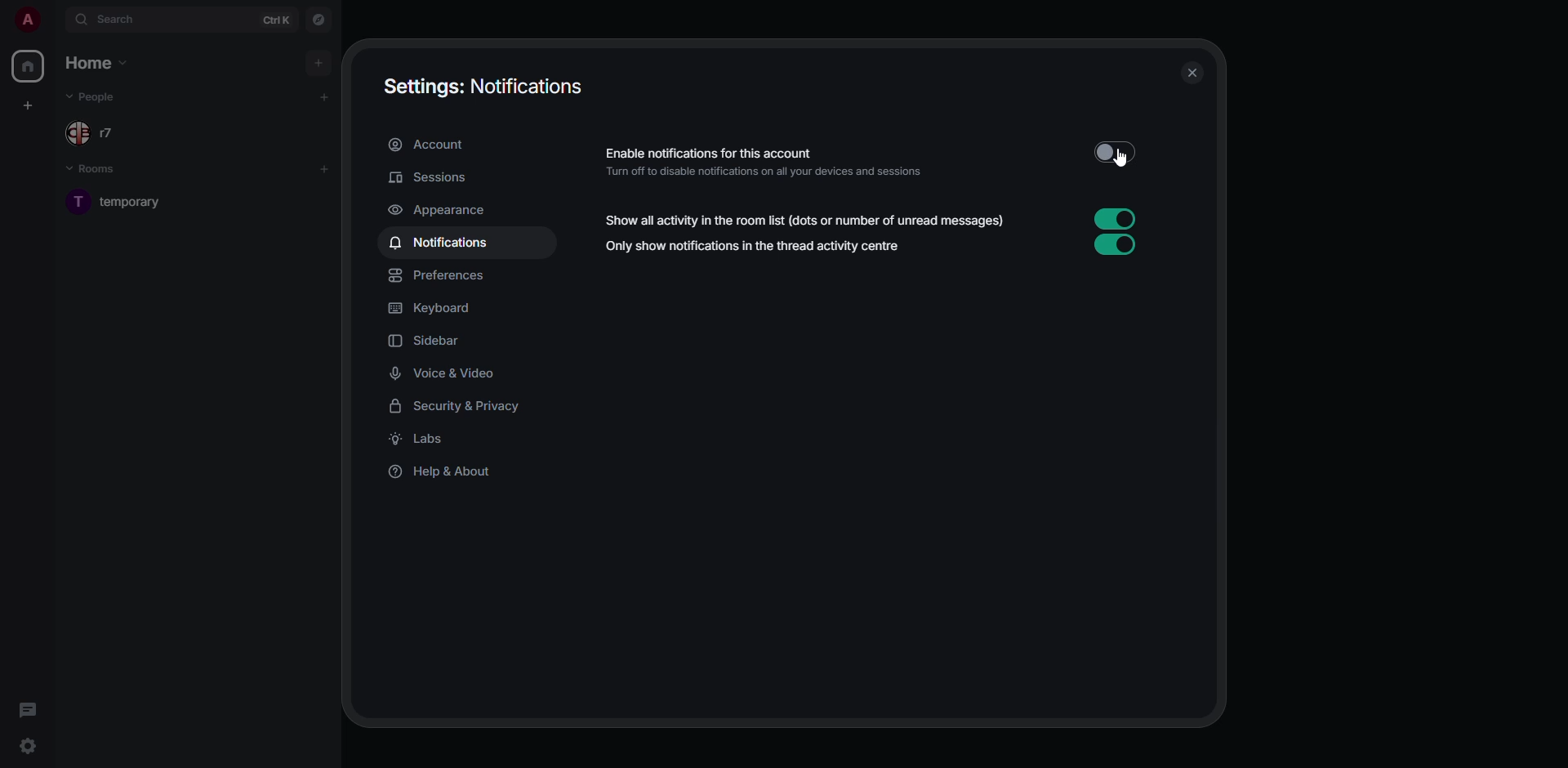 The image size is (1568, 768). What do you see at coordinates (432, 179) in the screenshot?
I see `sessions` at bounding box center [432, 179].